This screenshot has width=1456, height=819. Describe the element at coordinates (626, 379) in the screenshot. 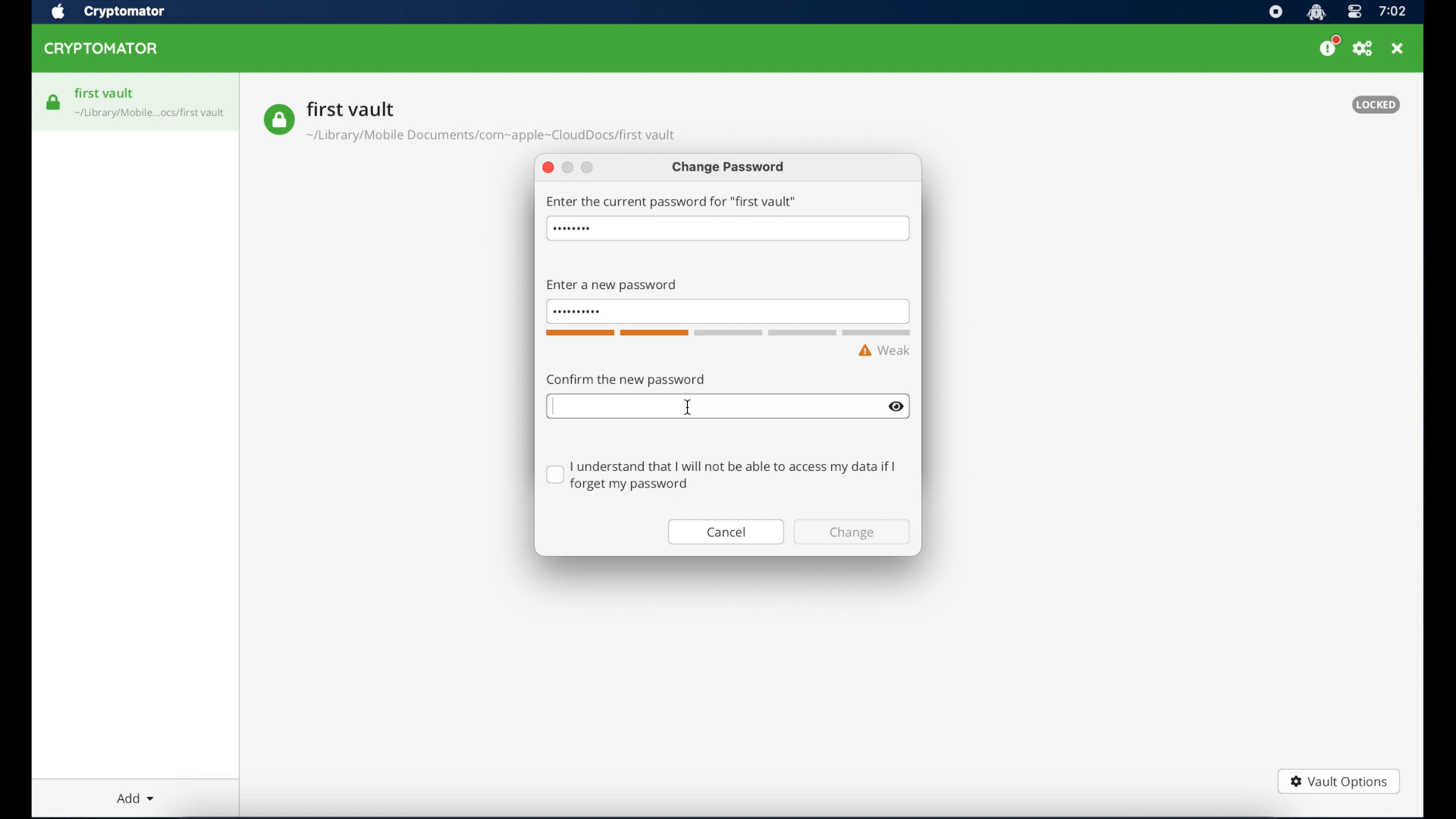

I see `confirm the password` at that location.